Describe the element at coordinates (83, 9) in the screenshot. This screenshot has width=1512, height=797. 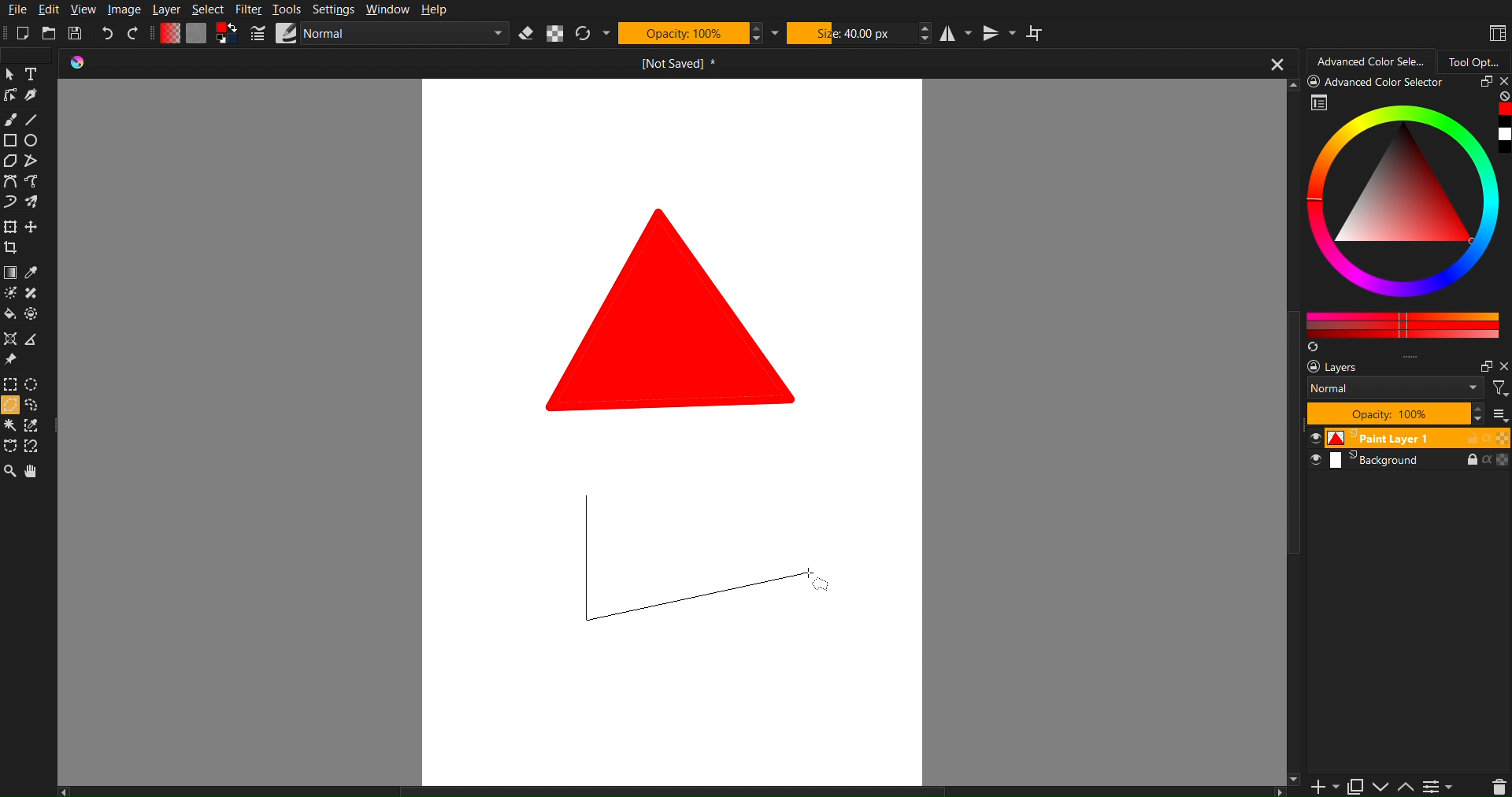
I see `View` at that location.